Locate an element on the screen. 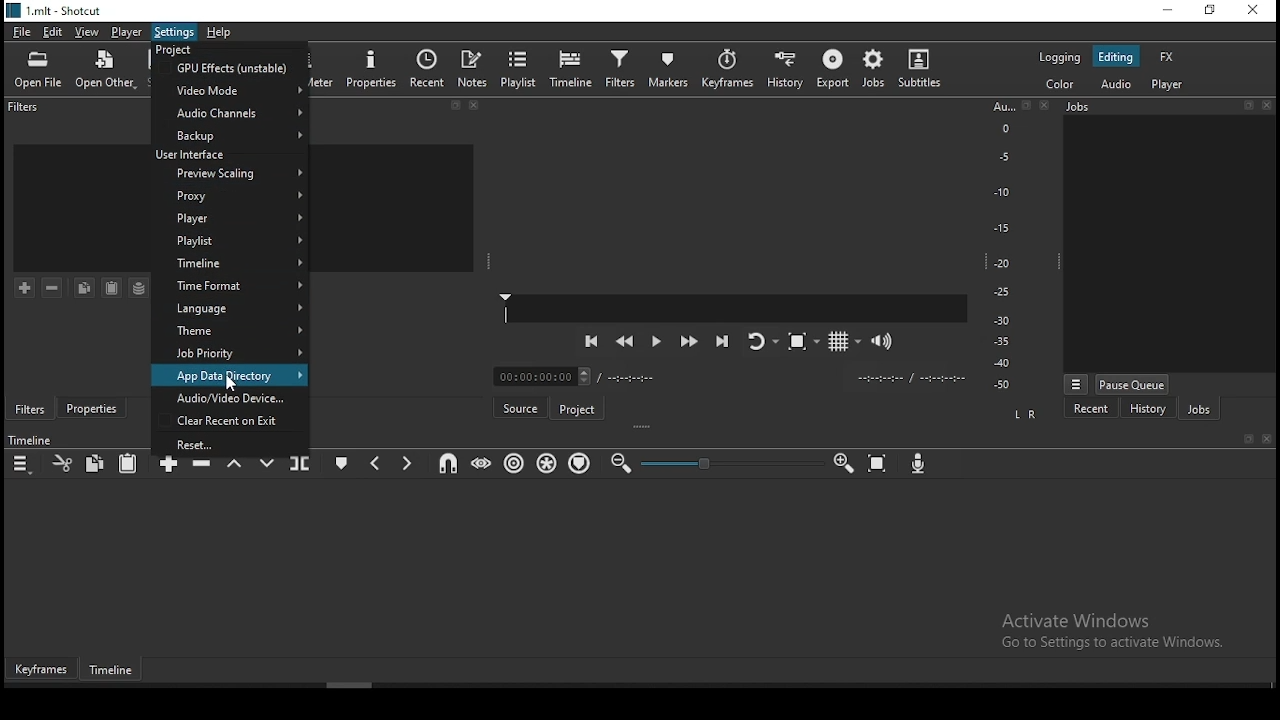 This screenshot has height=720, width=1280. keyframes is located at coordinates (727, 68).